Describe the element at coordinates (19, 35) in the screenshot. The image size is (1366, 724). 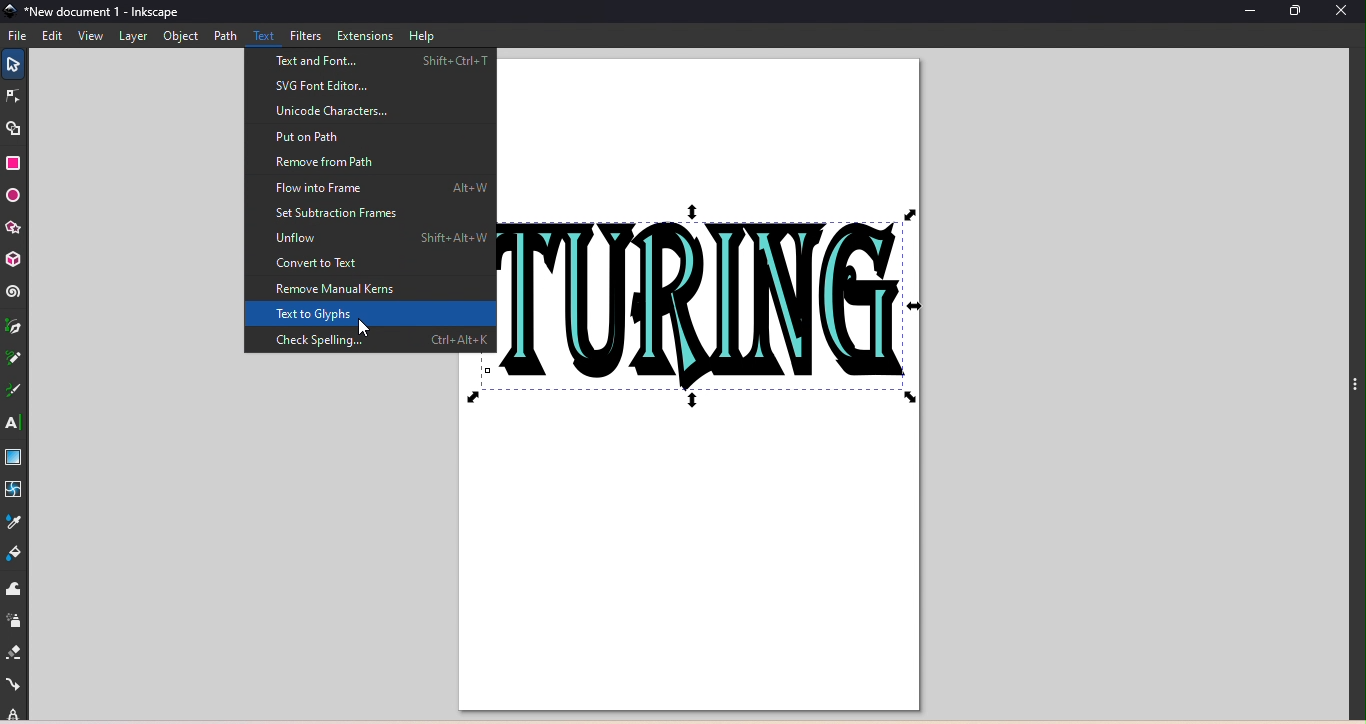
I see `File` at that location.